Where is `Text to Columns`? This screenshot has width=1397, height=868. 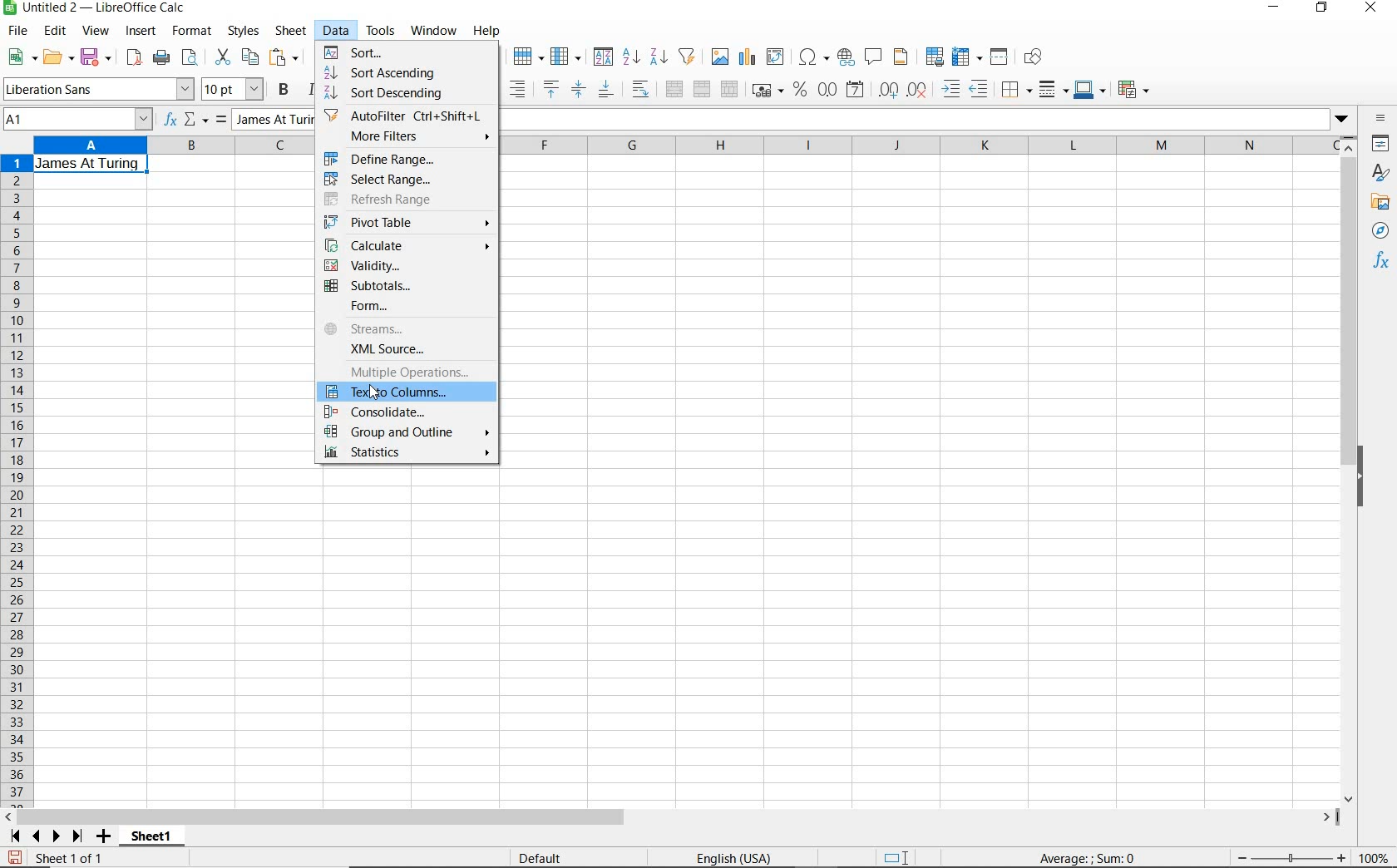
Text to Columns is located at coordinates (406, 393).